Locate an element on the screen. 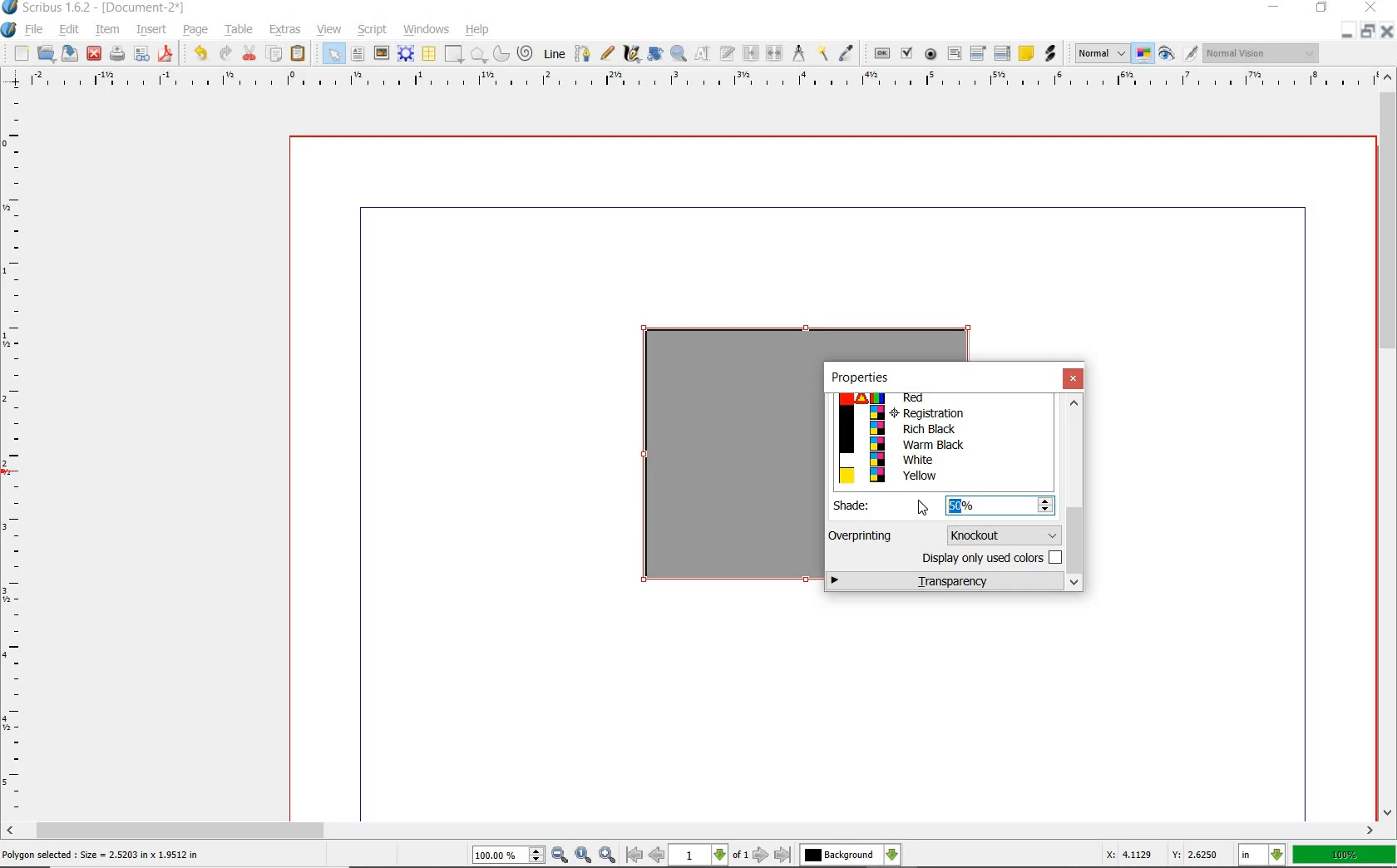  select the current unit is located at coordinates (1263, 856).